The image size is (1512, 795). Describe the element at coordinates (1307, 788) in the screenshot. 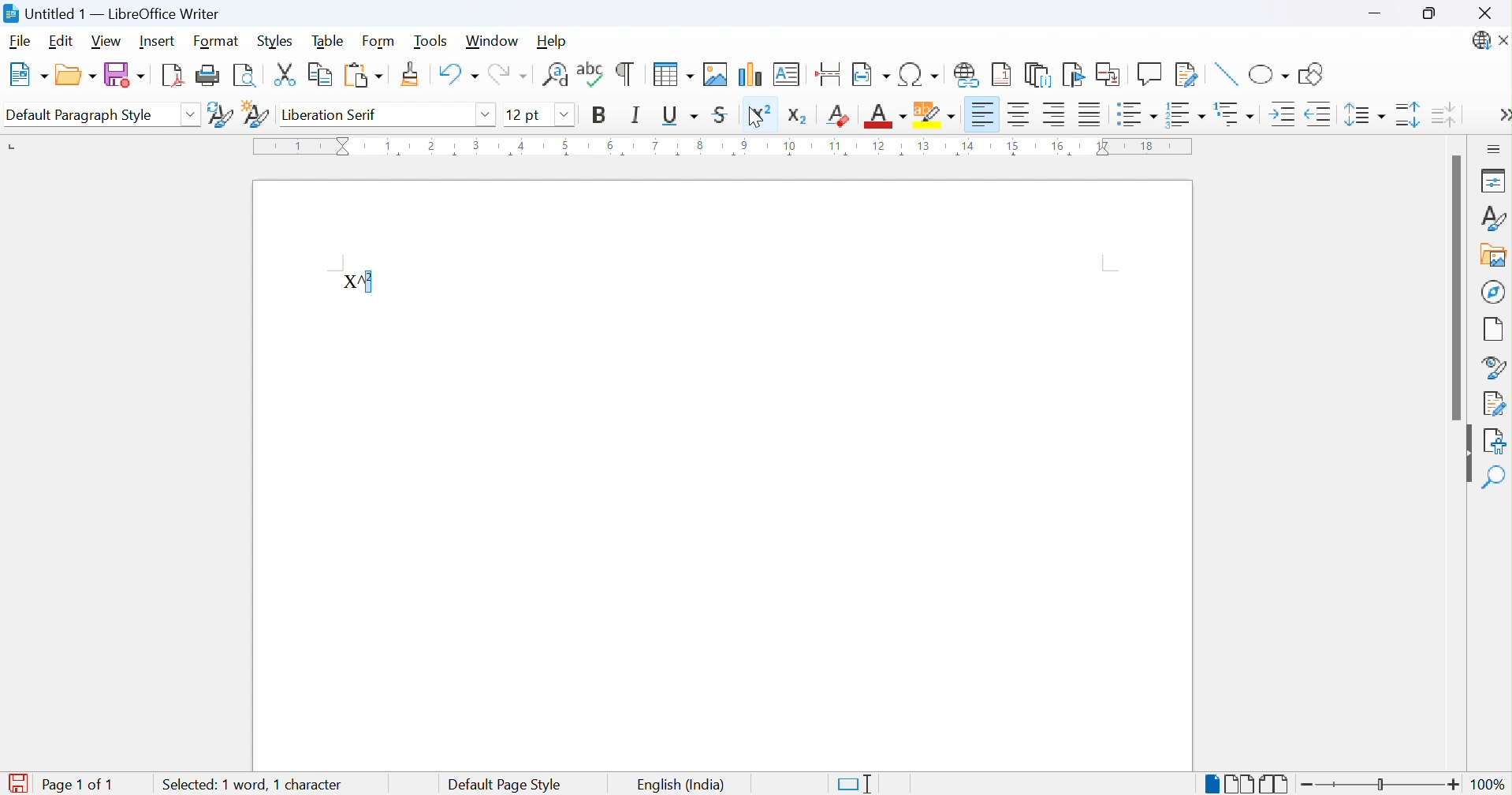

I see `Zoom out` at that location.